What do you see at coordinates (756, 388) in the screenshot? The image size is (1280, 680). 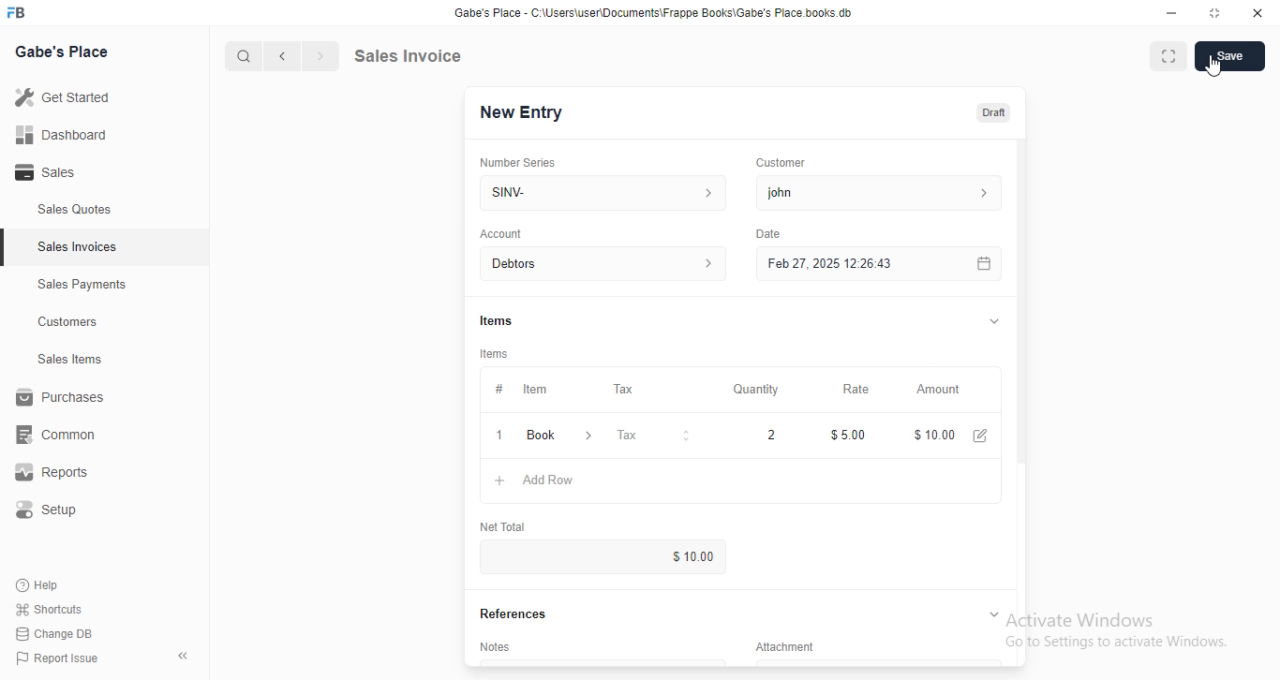 I see `Quantity` at bounding box center [756, 388].